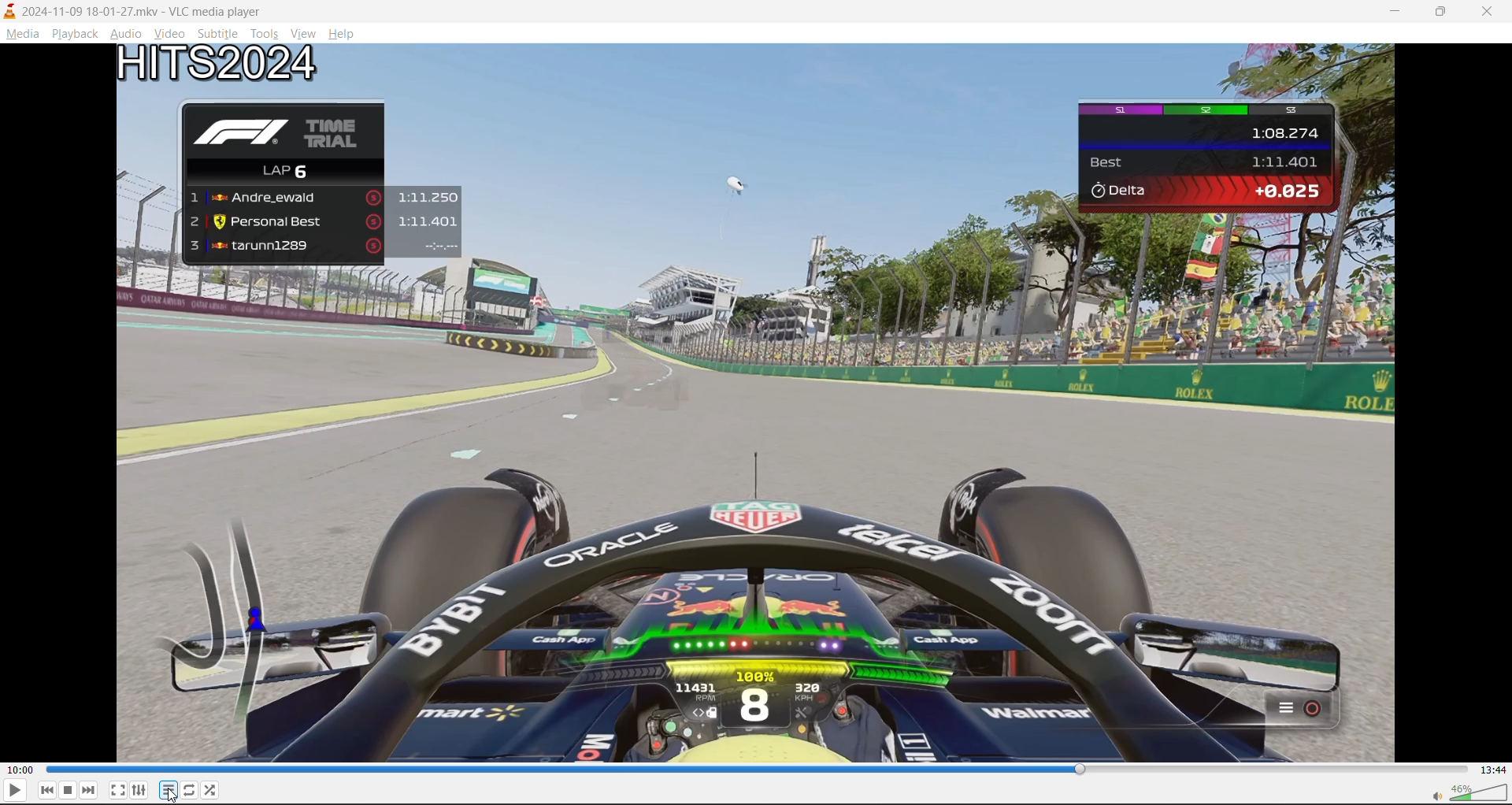 The image size is (1512, 805). What do you see at coordinates (67, 789) in the screenshot?
I see `stop` at bounding box center [67, 789].